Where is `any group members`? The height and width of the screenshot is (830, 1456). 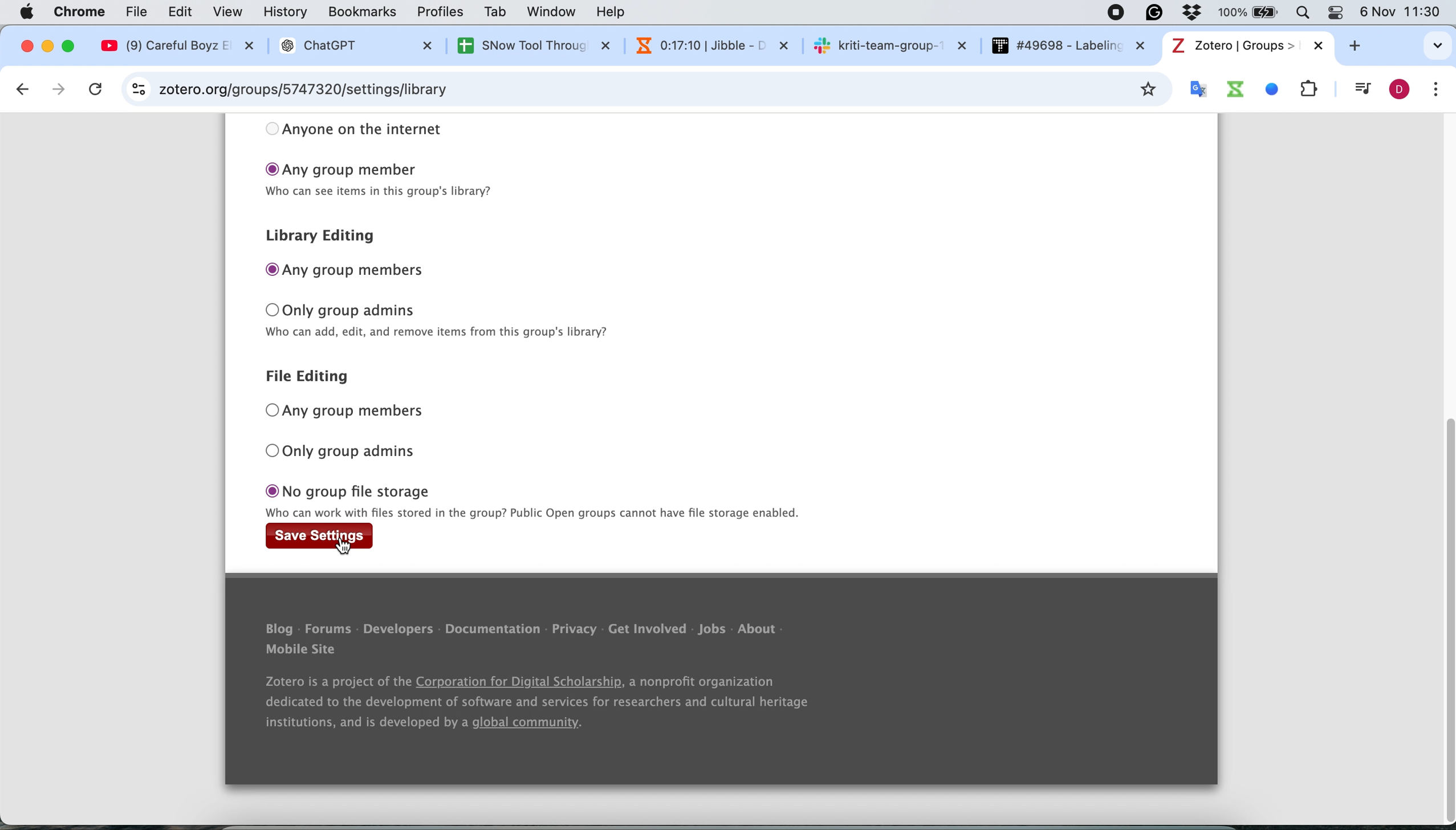
any group members is located at coordinates (347, 412).